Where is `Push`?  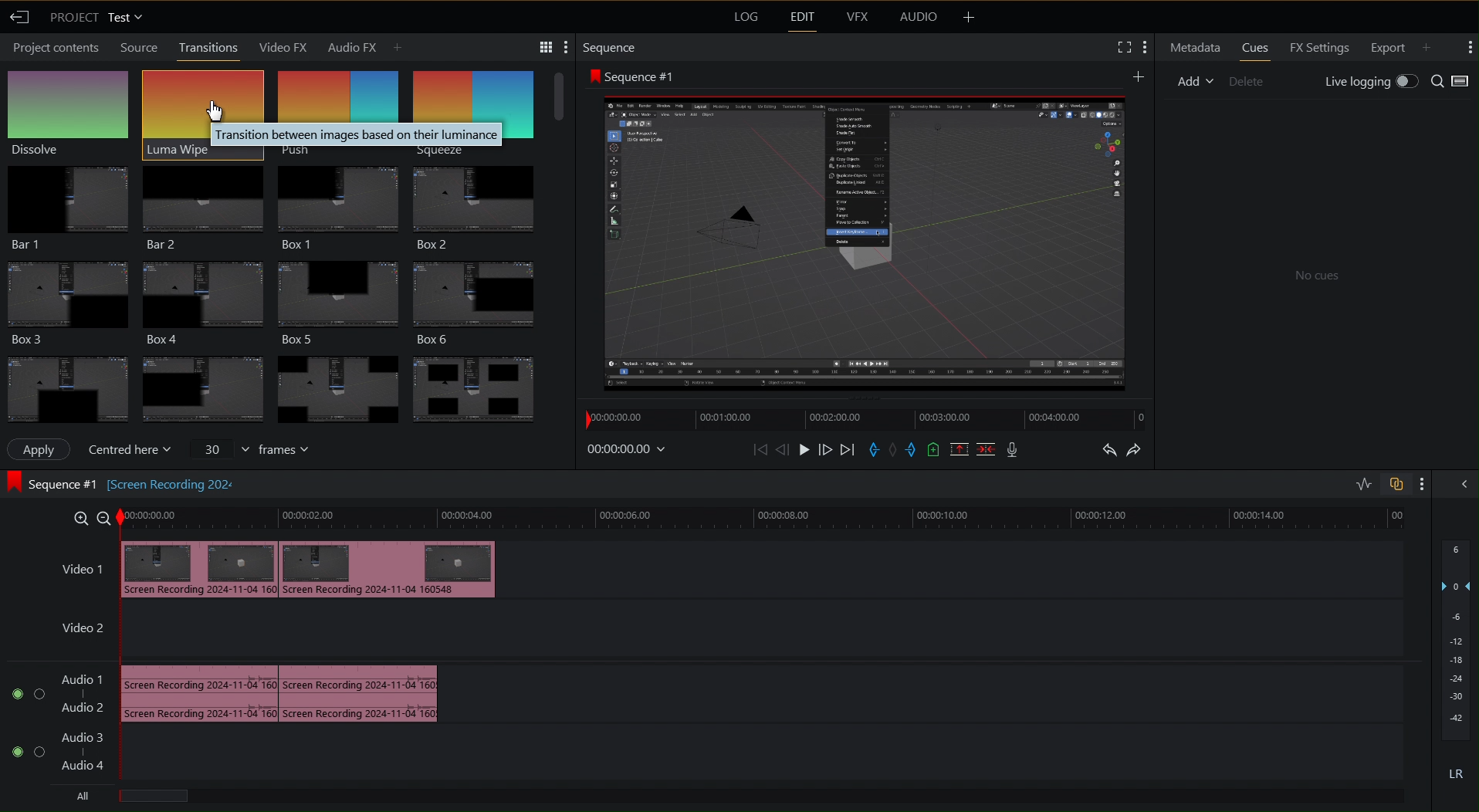 Push is located at coordinates (339, 87).